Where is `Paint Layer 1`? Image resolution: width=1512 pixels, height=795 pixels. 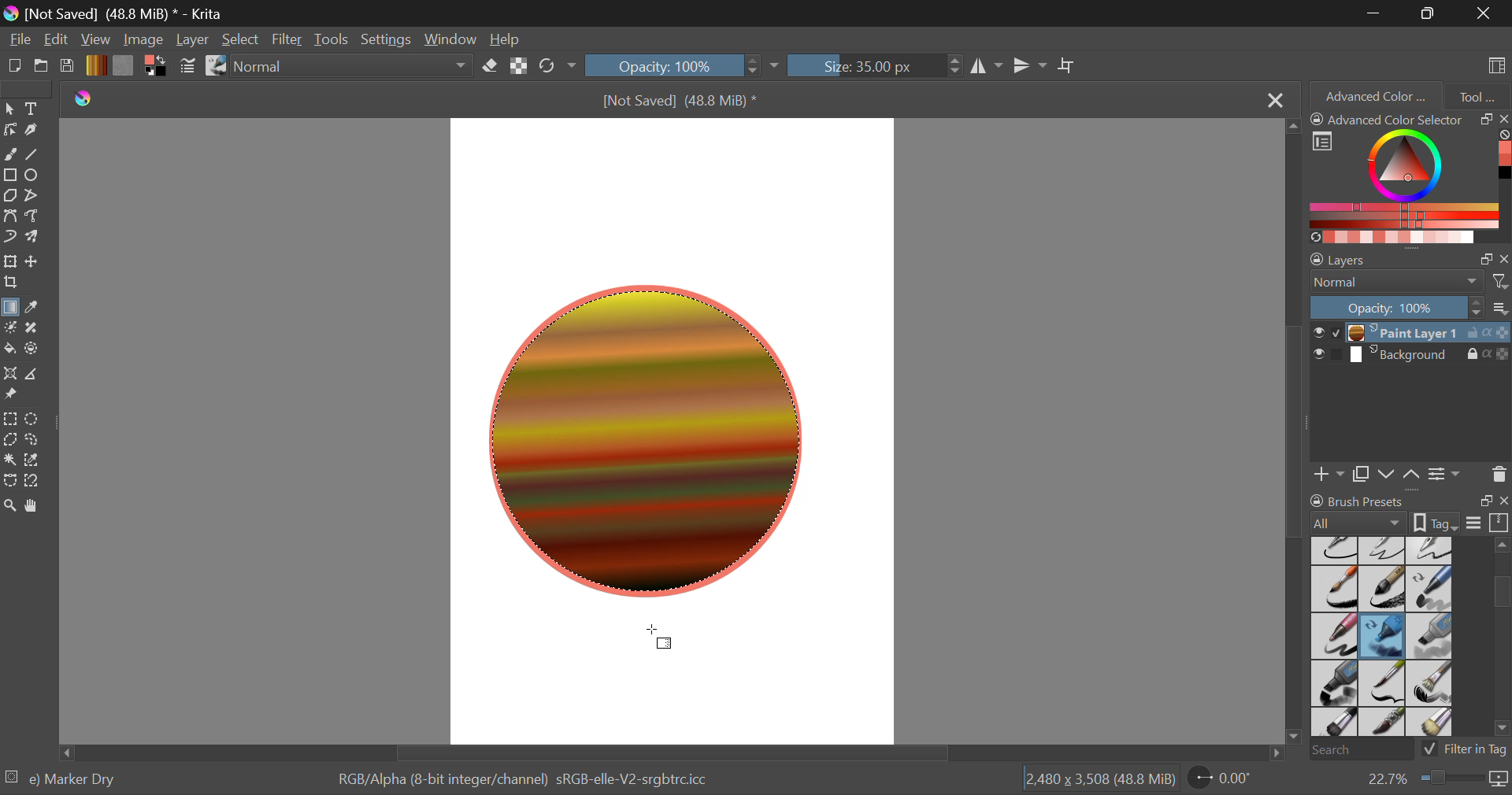 Paint Layer 1 is located at coordinates (1411, 331).